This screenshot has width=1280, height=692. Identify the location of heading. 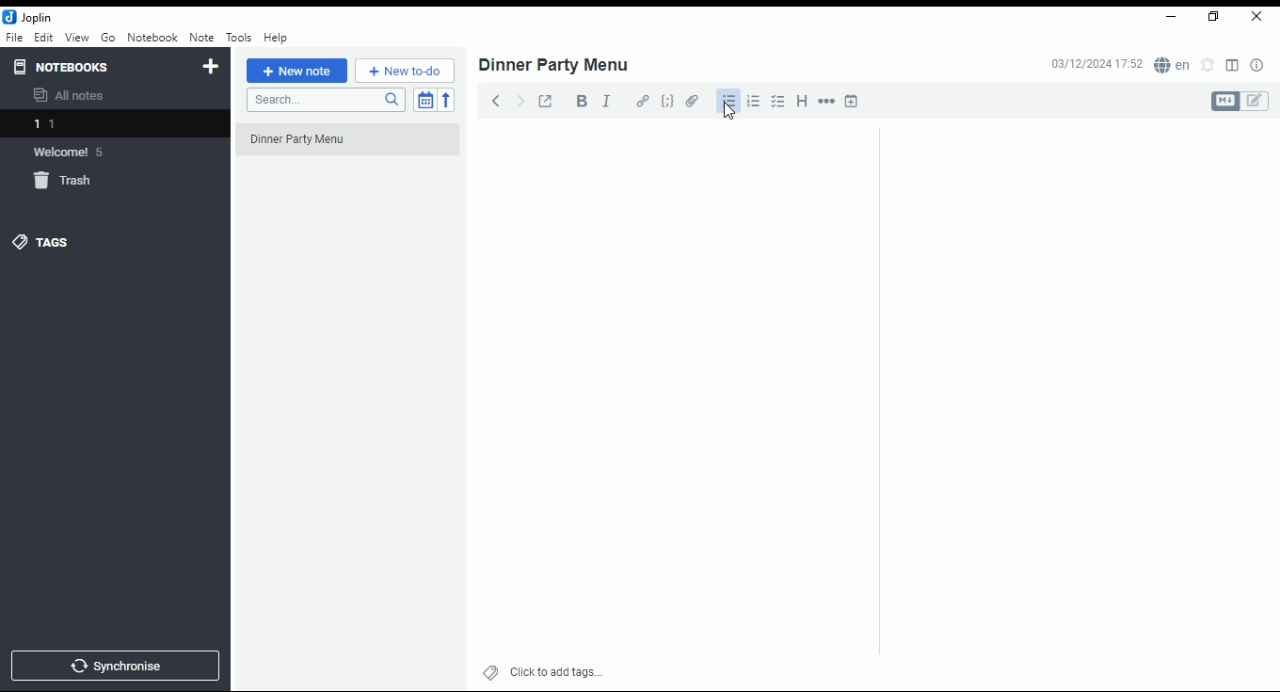
(803, 102).